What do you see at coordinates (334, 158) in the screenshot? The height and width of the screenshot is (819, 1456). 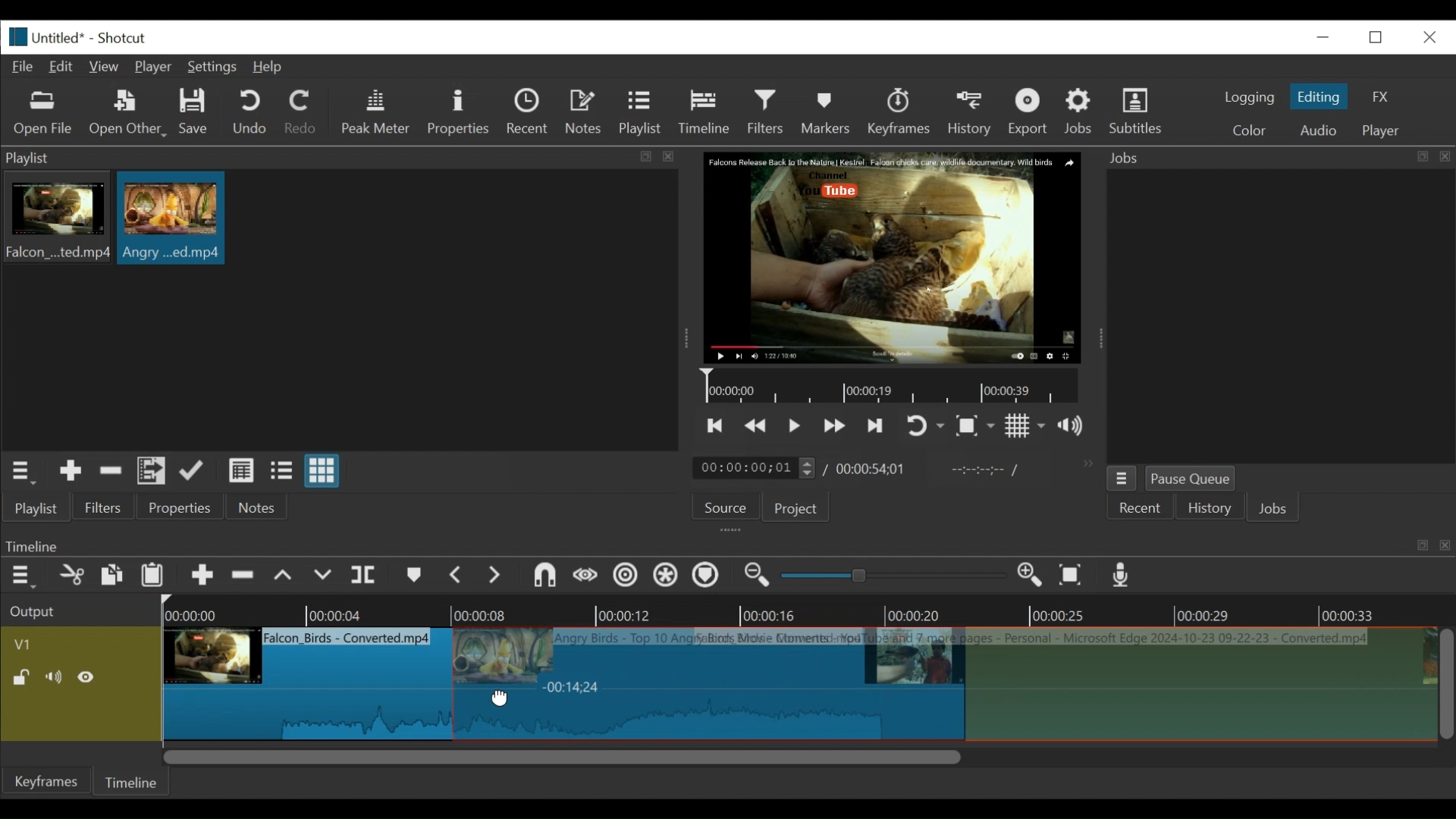 I see `playlist panel` at bounding box center [334, 158].